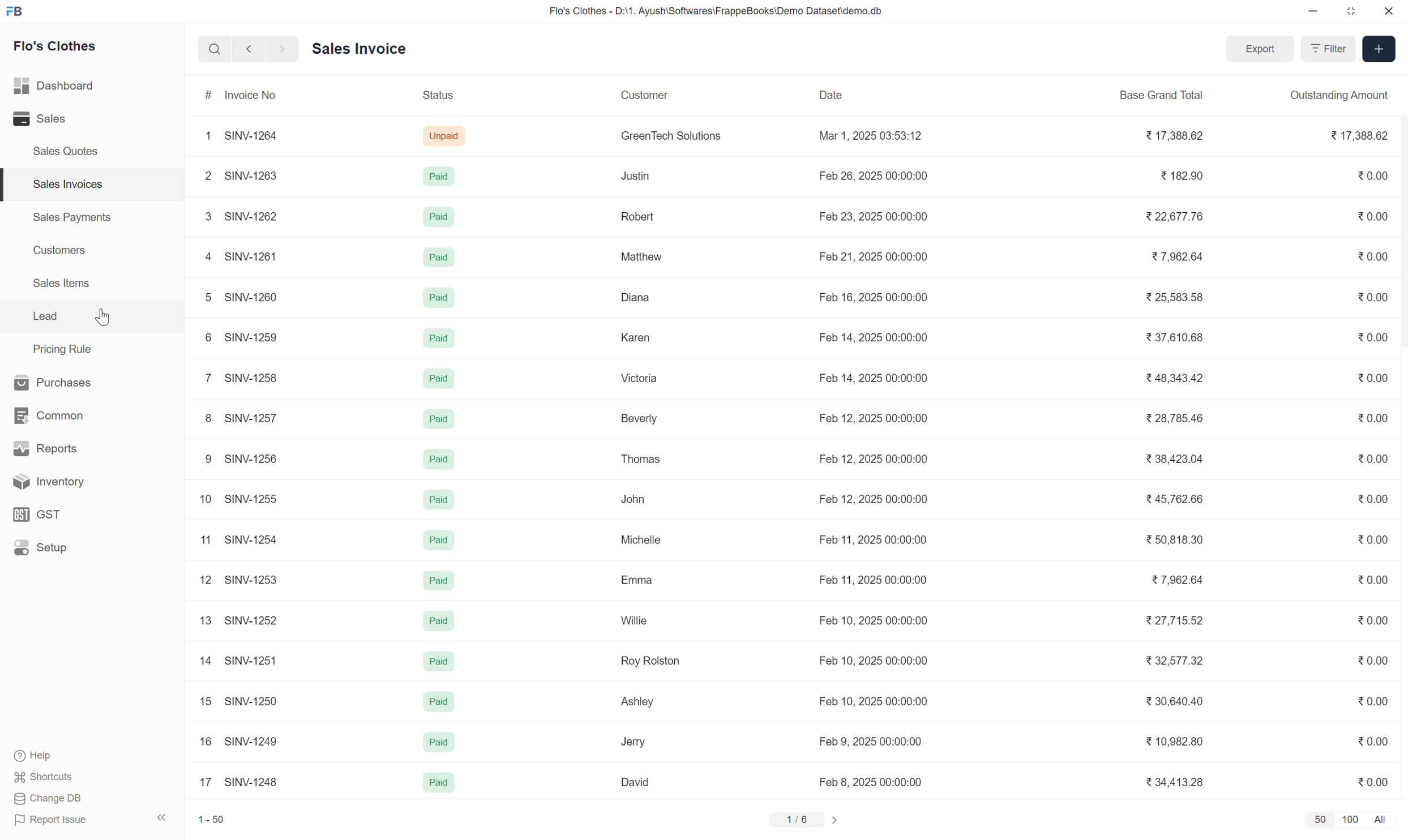  I want to click on FB, so click(15, 12).